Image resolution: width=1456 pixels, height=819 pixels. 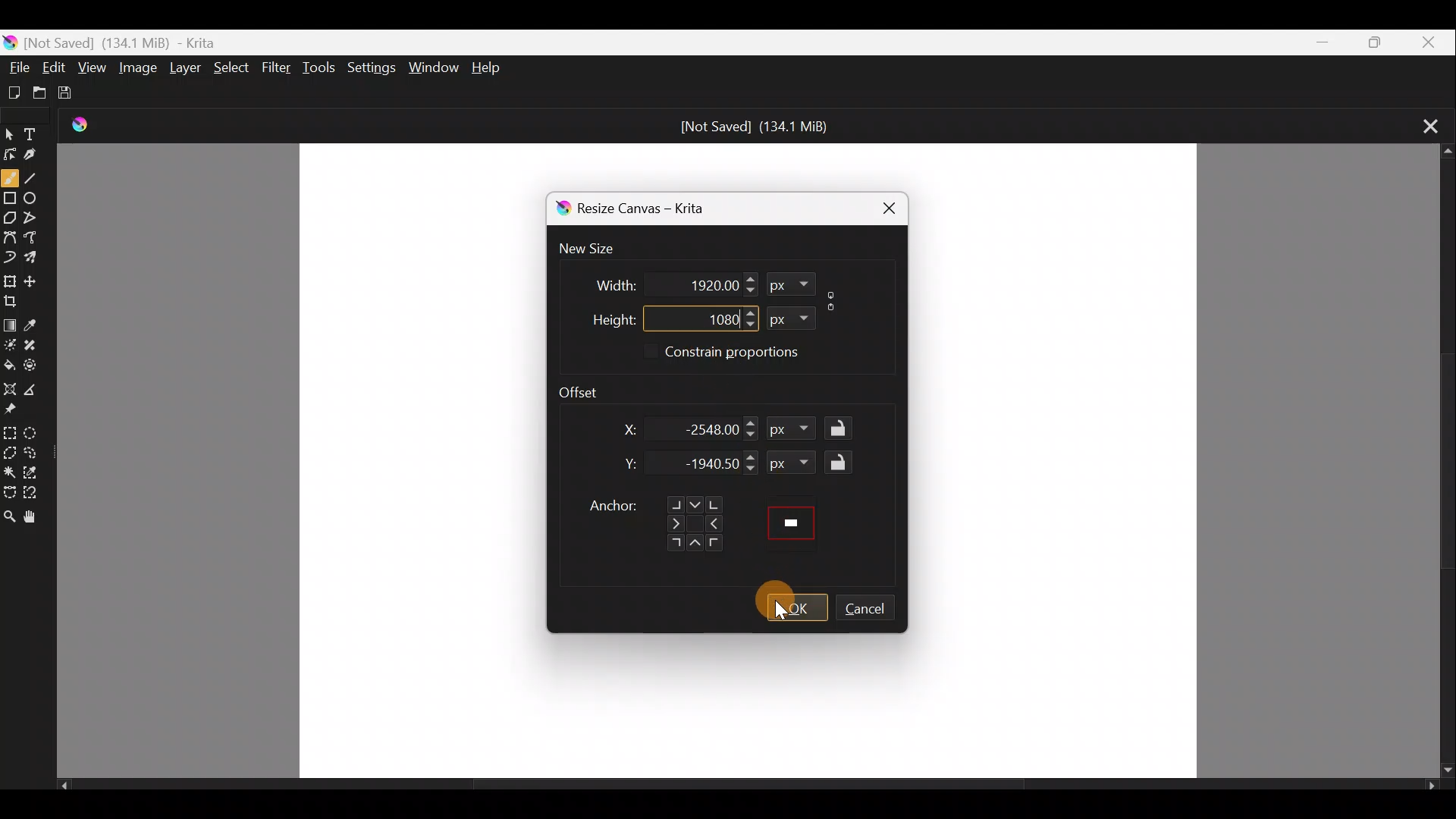 What do you see at coordinates (752, 457) in the screenshot?
I see `Increase Y dimension` at bounding box center [752, 457].